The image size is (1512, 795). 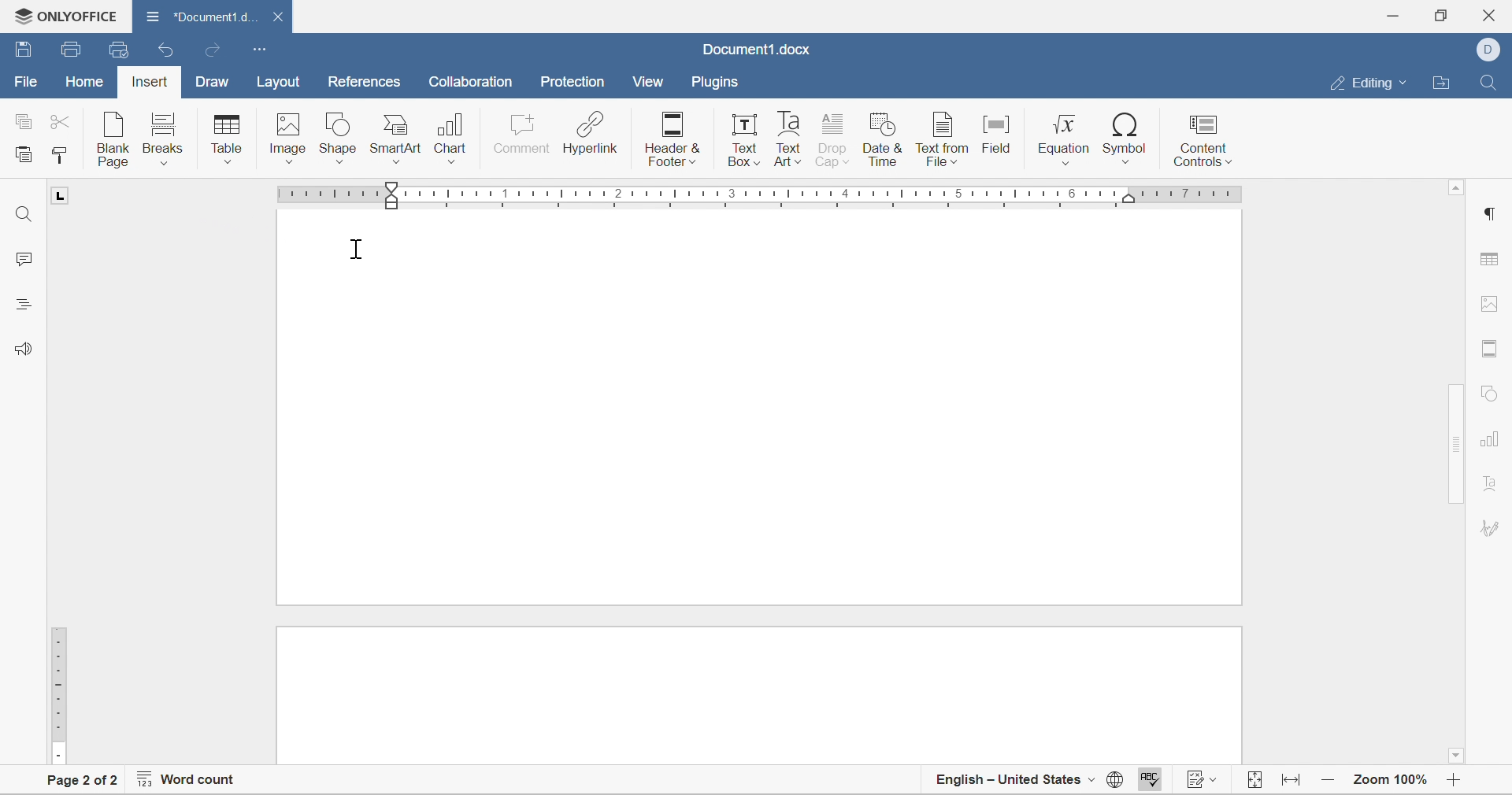 What do you see at coordinates (1255, 782) in the screenshot?
I see `Track changes` at bounding box center [1255, 782].